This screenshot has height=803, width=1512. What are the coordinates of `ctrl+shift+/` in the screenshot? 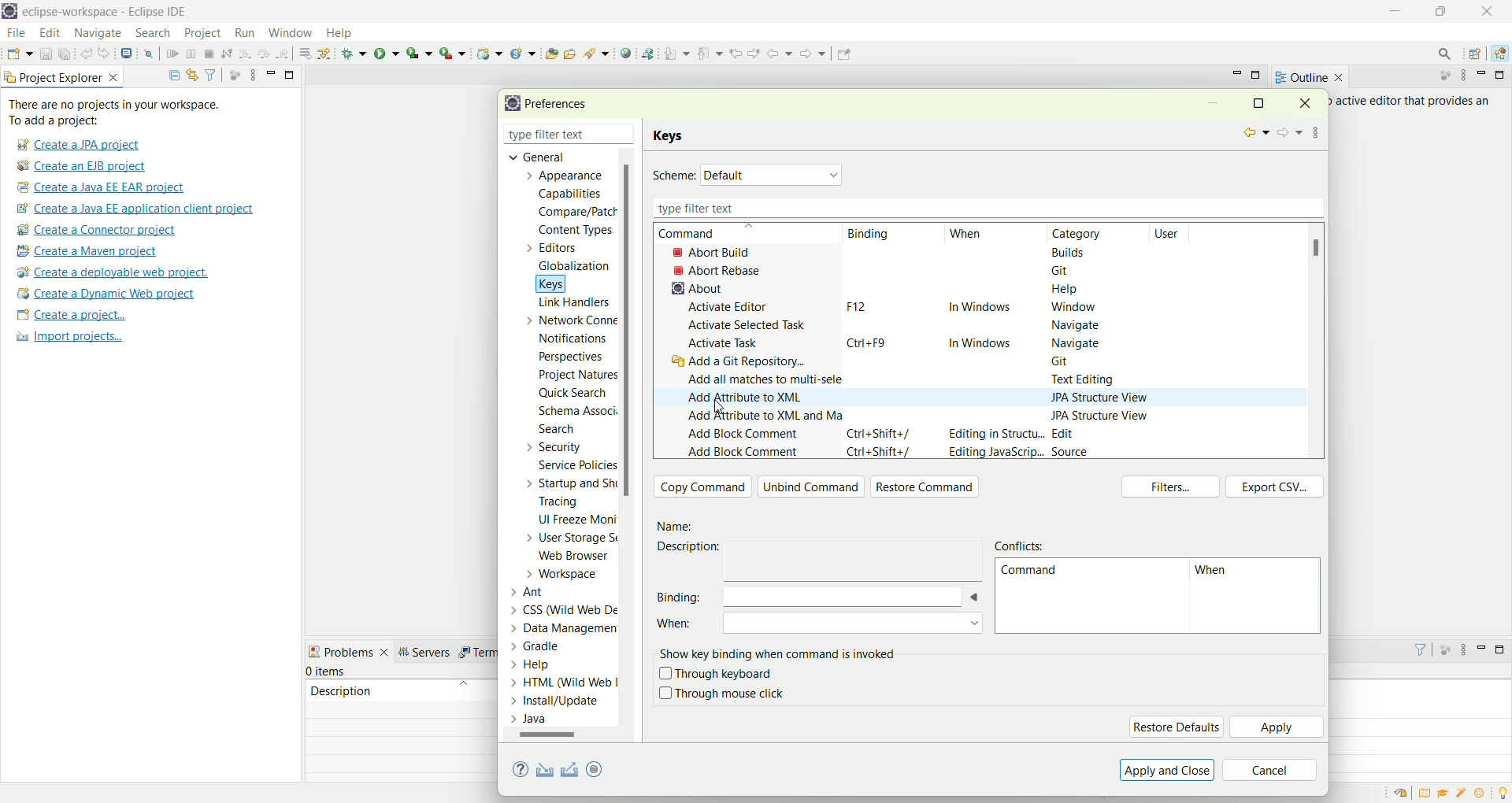 It's located at (882, 453).